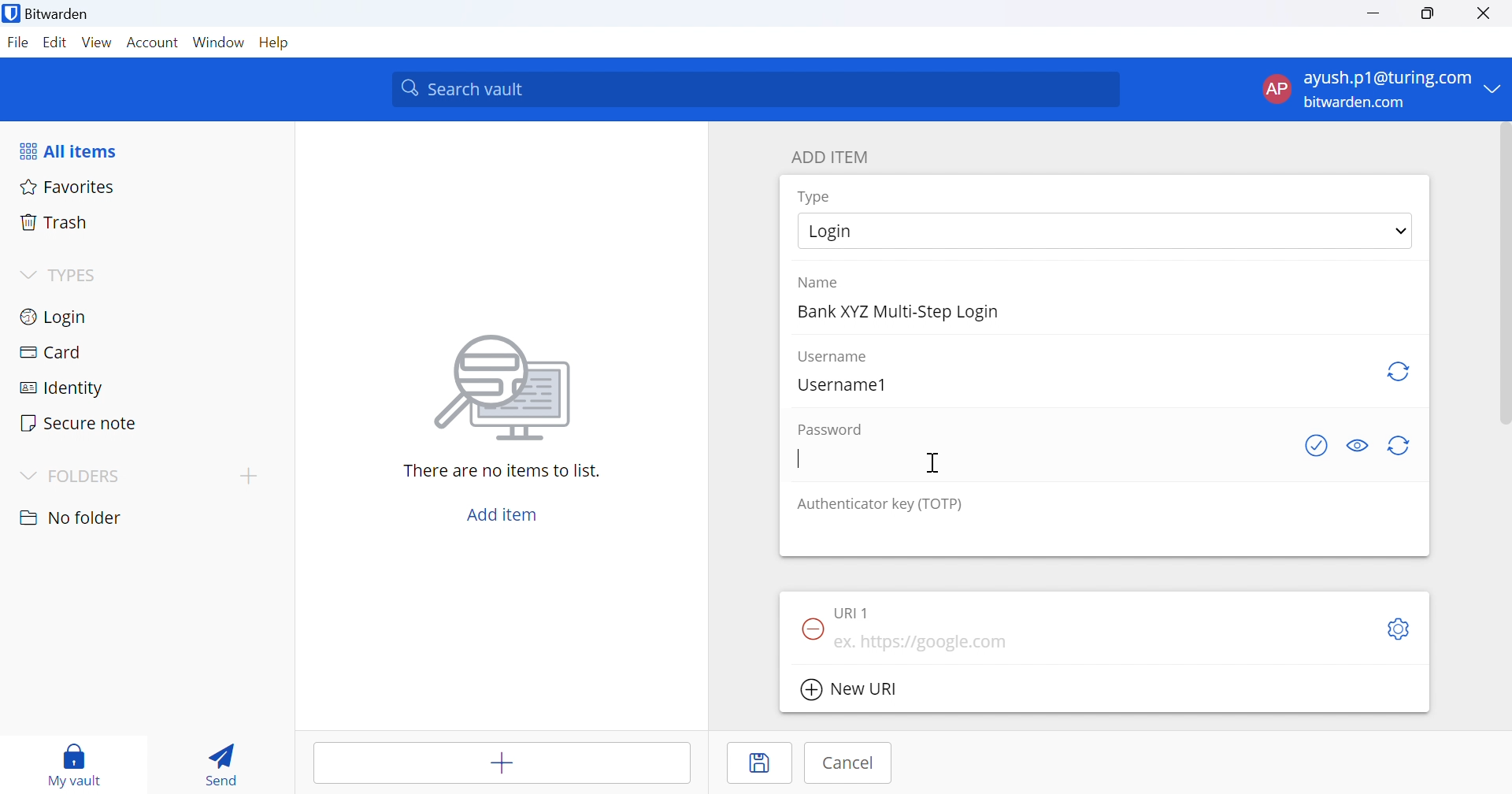  I want to click on Send, so click(224, 760).